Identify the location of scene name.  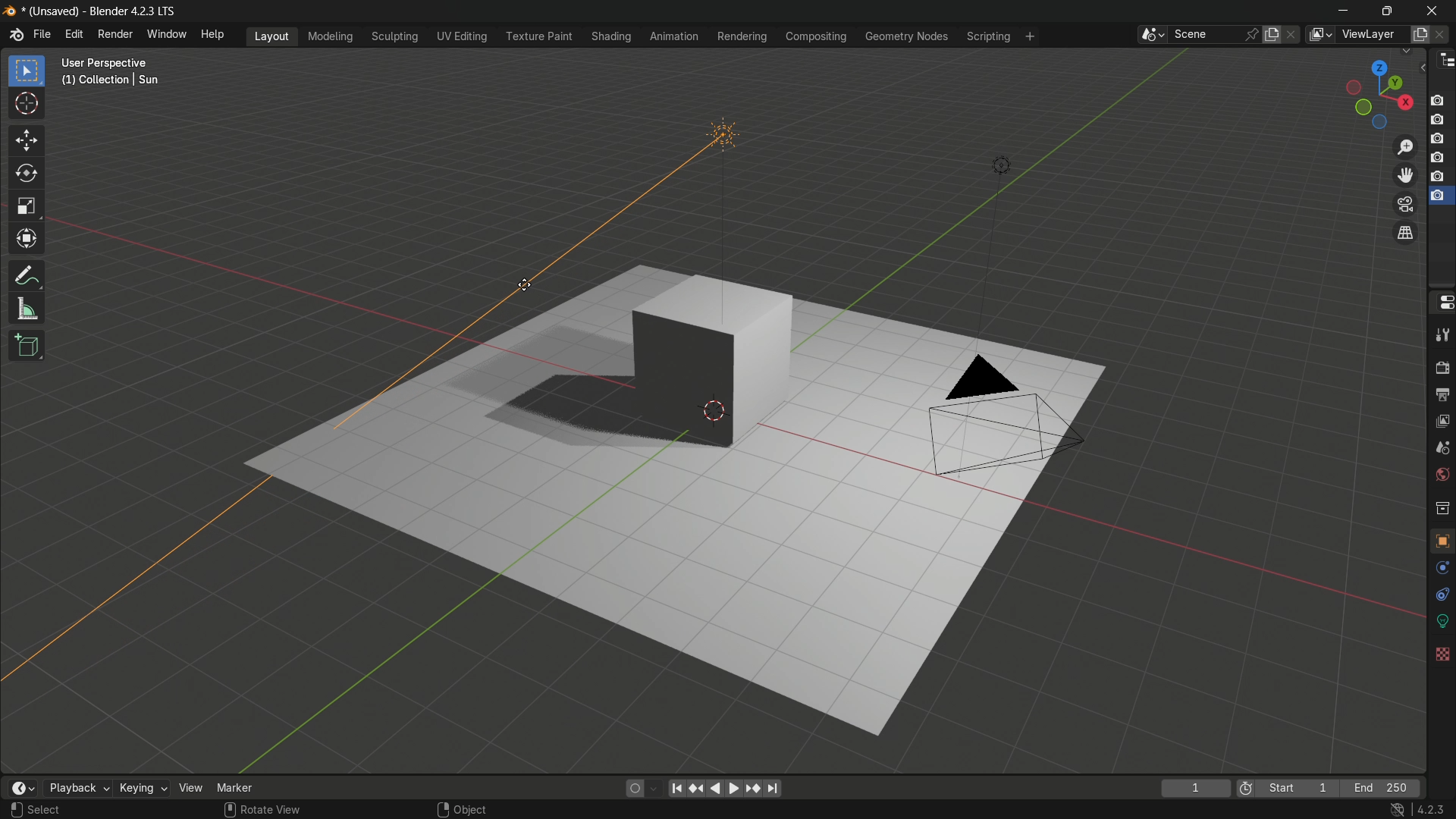
(1205, 35).